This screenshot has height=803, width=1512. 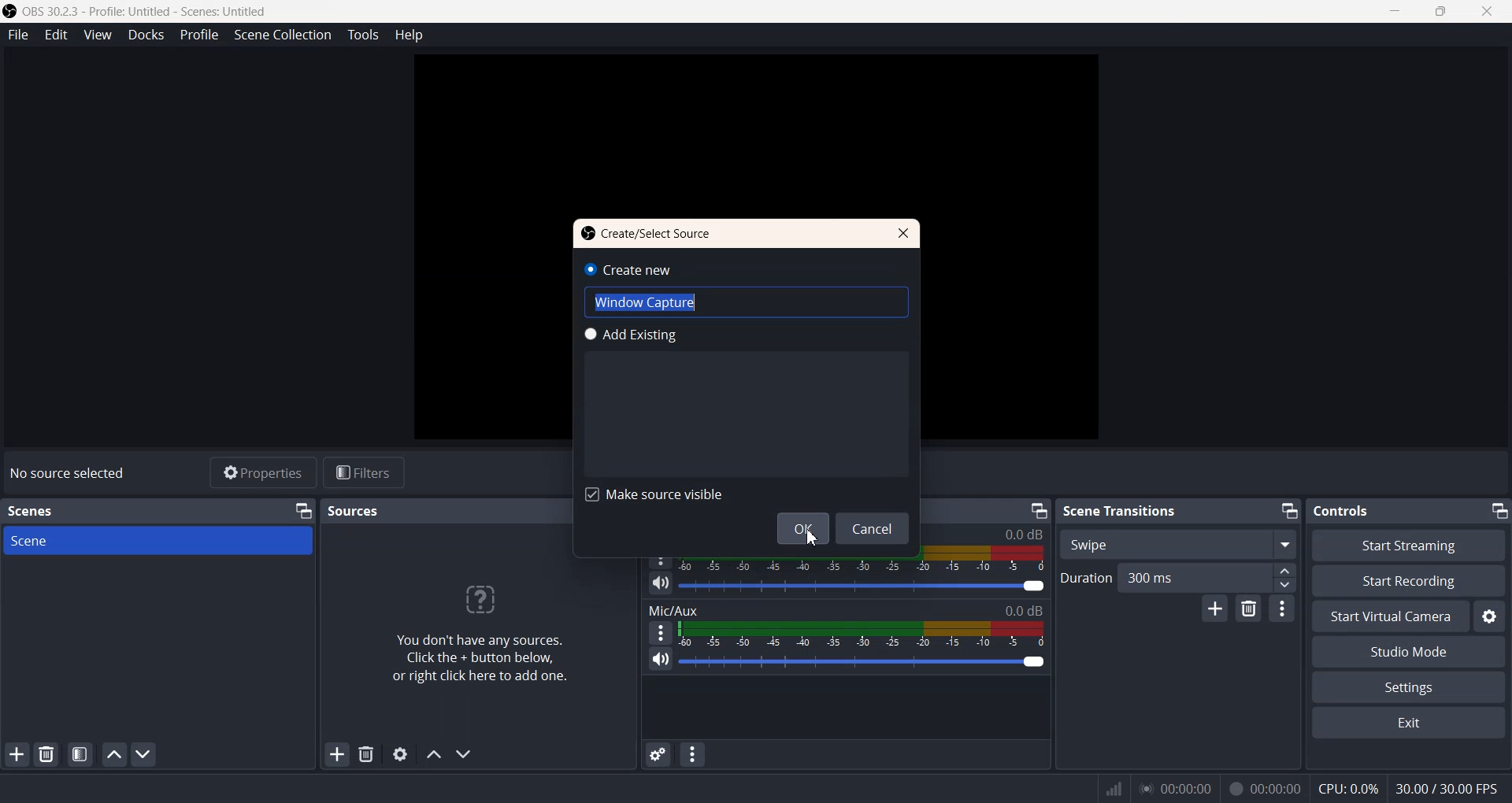 I want to click on Start Recording, so click(x=1409, y=581).